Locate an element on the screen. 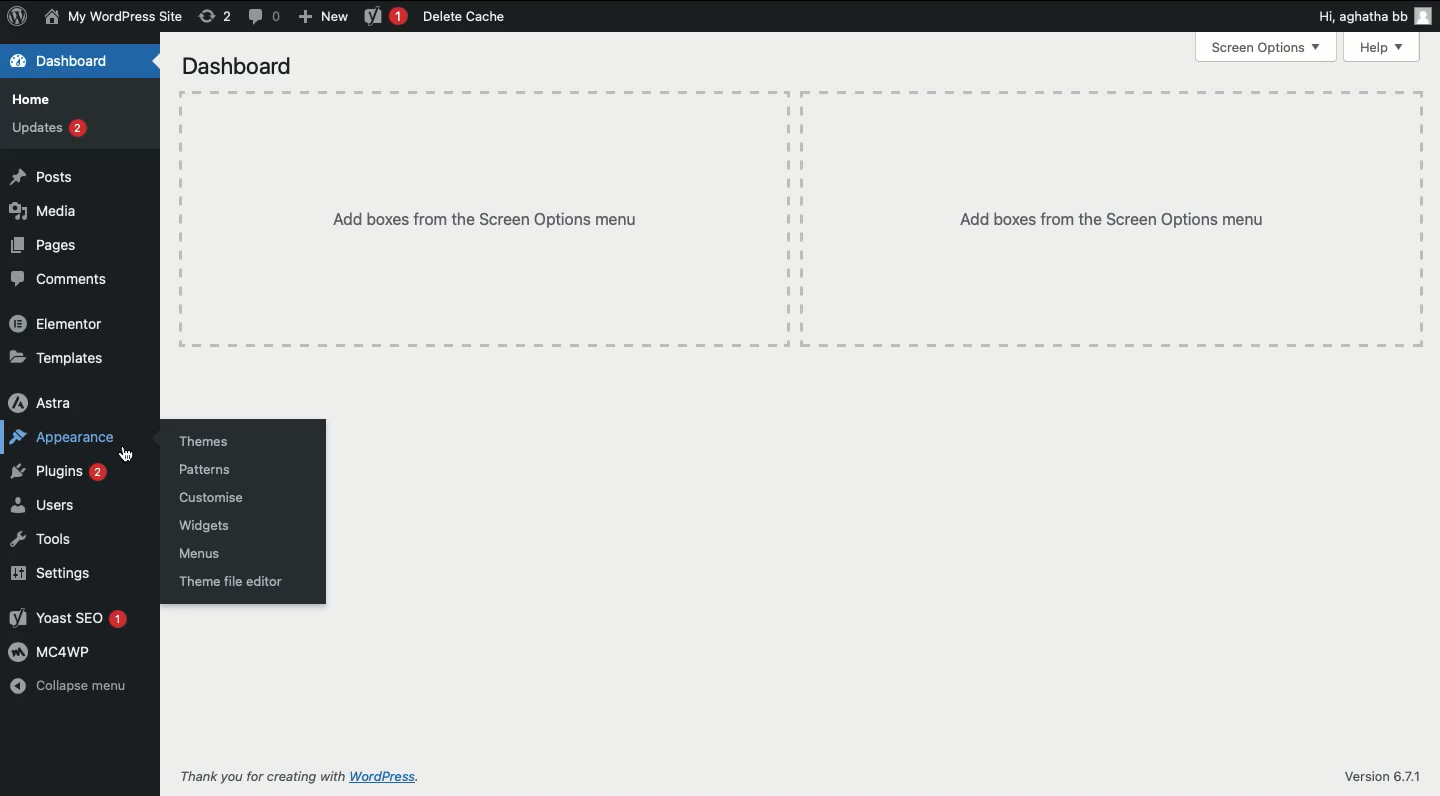  Plugins  is located at coordinates (63, 472).